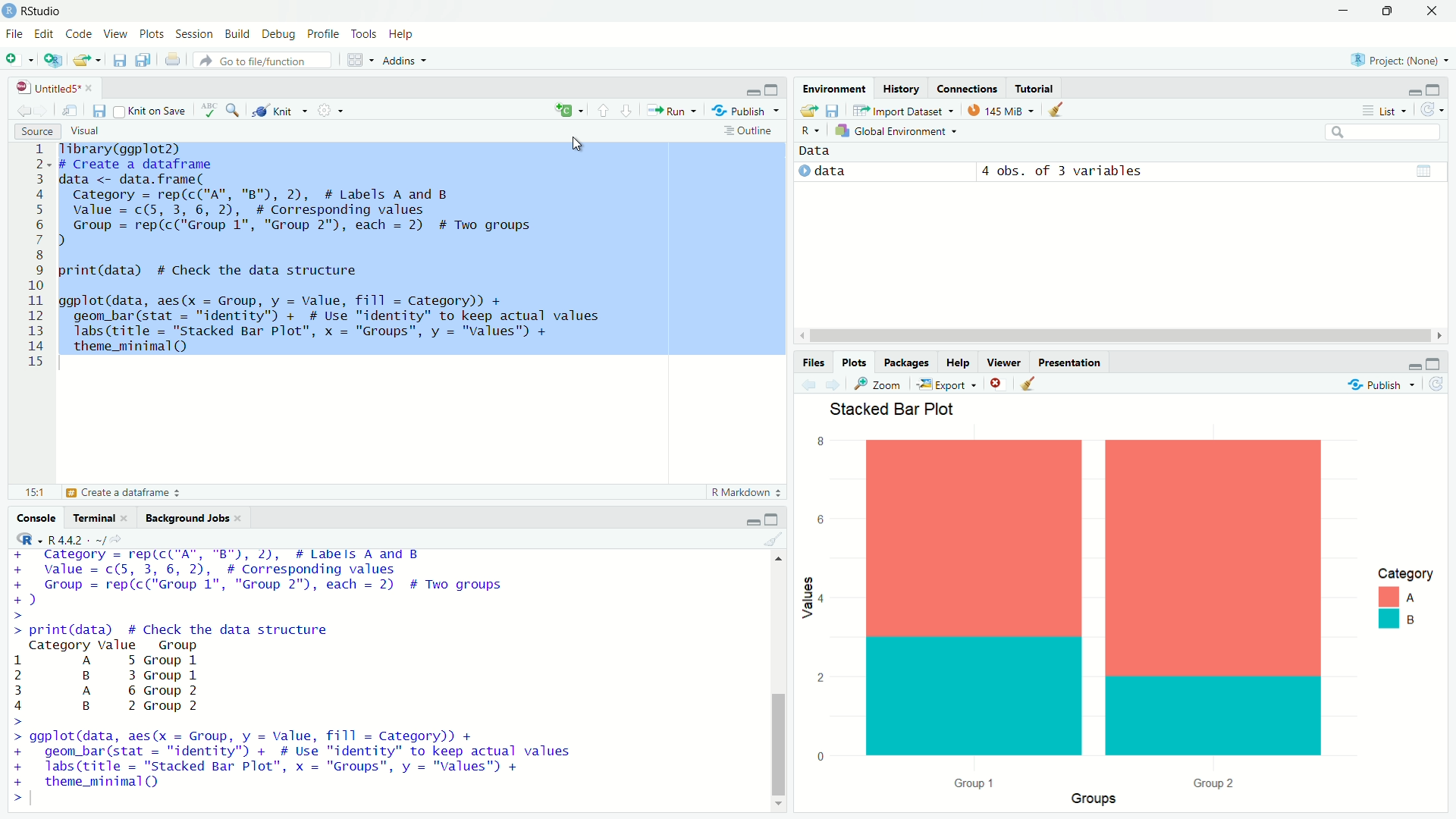  What do you see at coordinates (1122, 623) in the screenshot?
I see `Plot` at bounding box center [1122, 623].